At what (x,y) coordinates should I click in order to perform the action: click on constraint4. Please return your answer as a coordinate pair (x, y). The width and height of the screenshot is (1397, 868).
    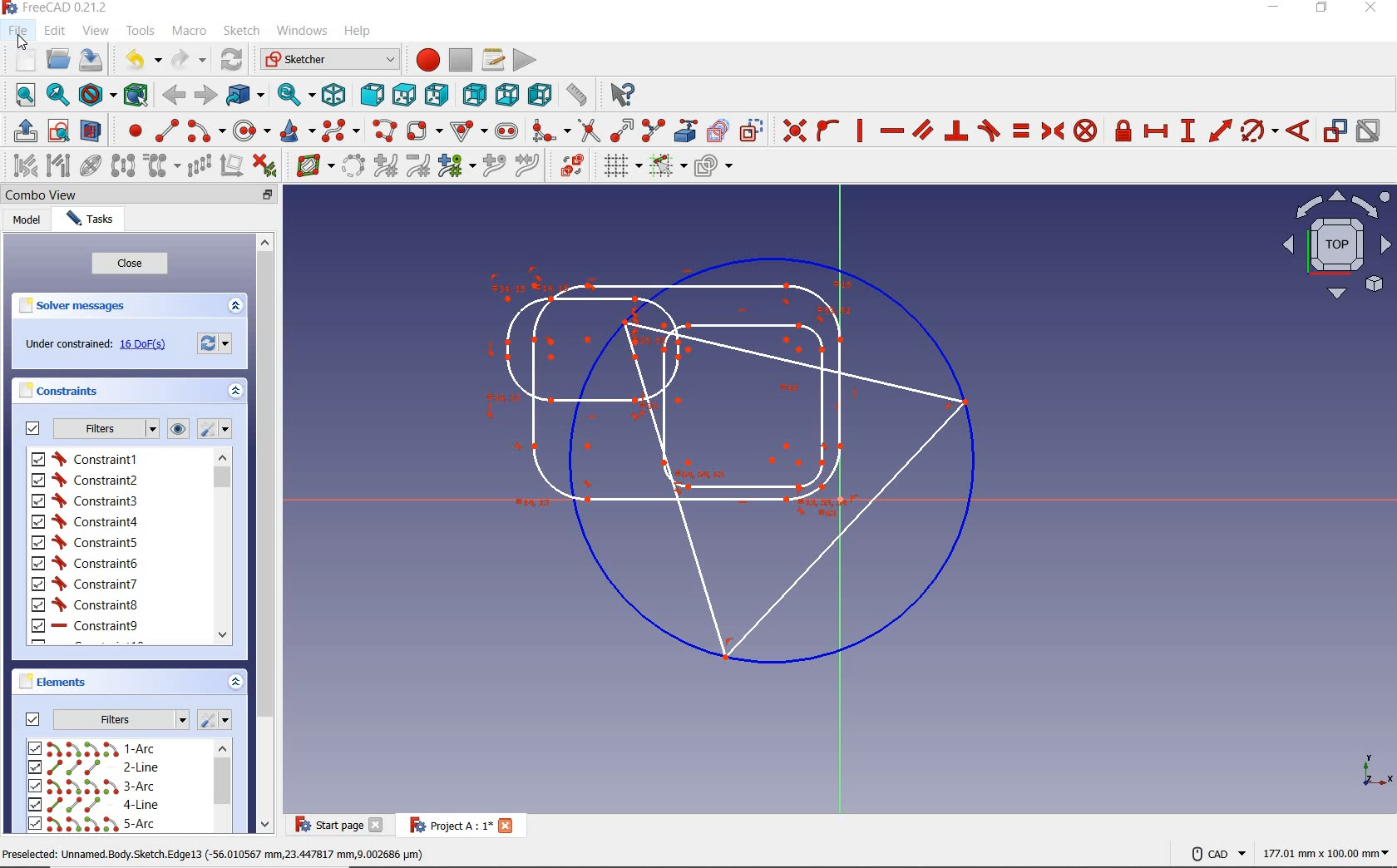
    Looking at the image, I should click on (85, 521).